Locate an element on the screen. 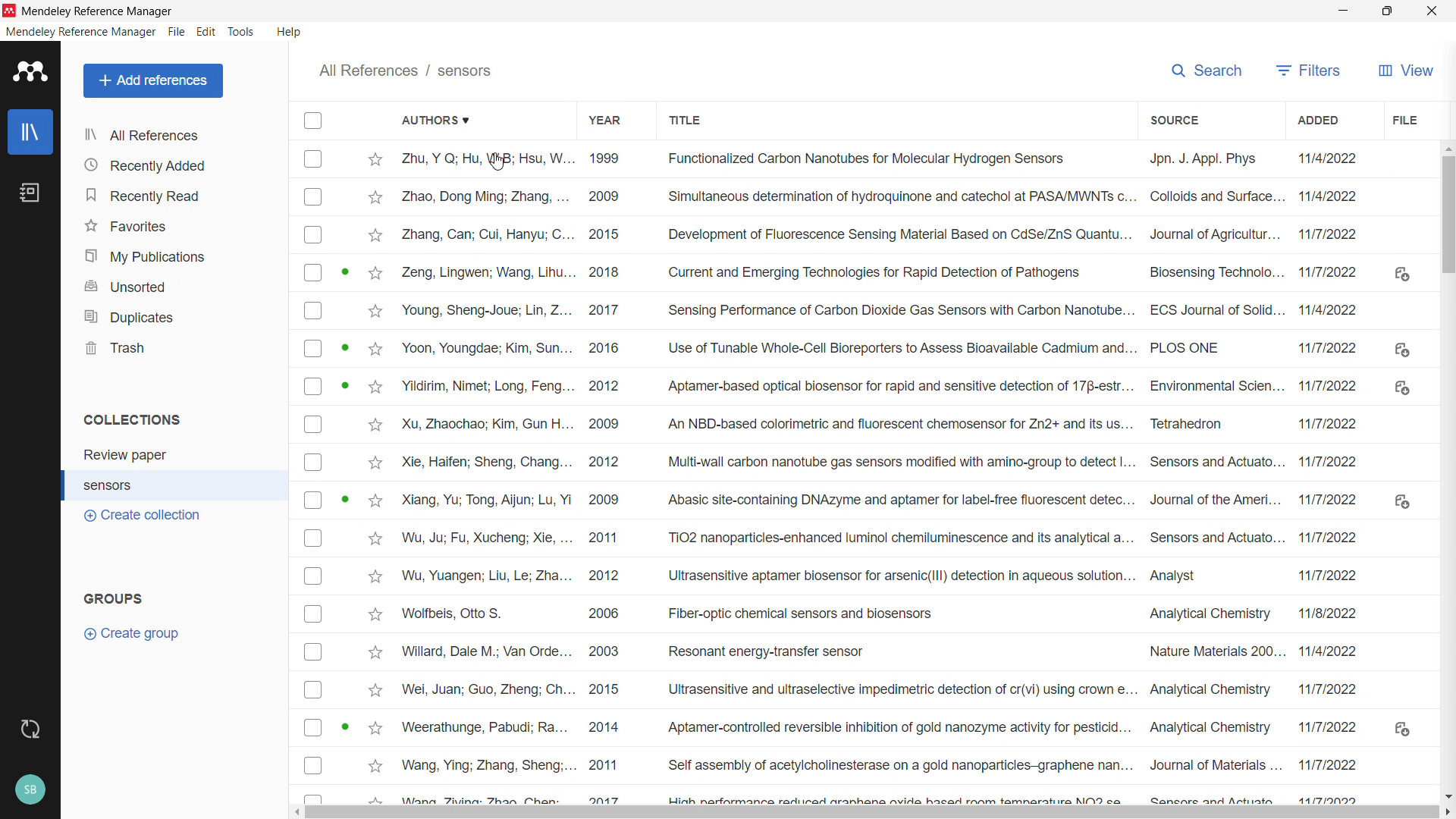 The height and width of the screenshot is (819, 1456). Select all entries  is located at coordinates (312, 120).